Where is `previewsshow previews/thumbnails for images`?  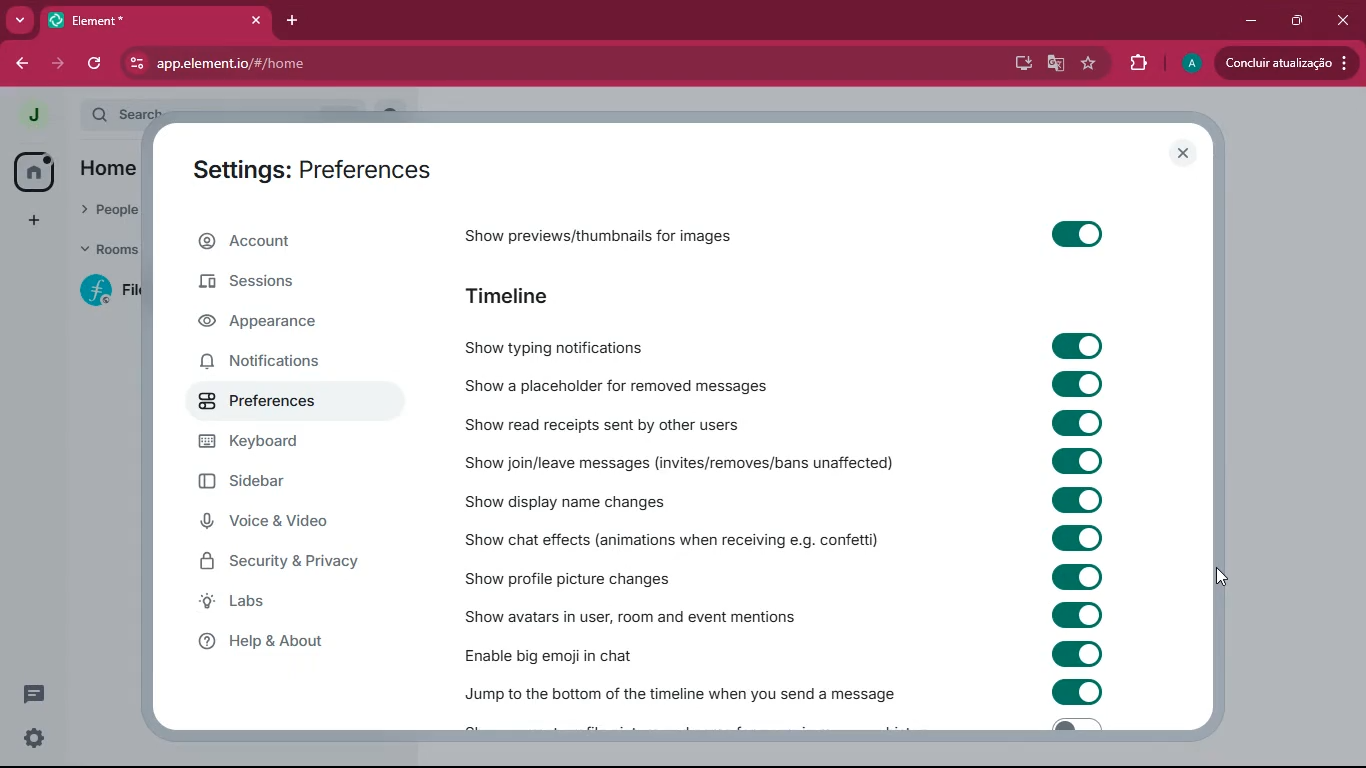
previewsshow previews/thumbnails for images is located at coordinates (638, 233).